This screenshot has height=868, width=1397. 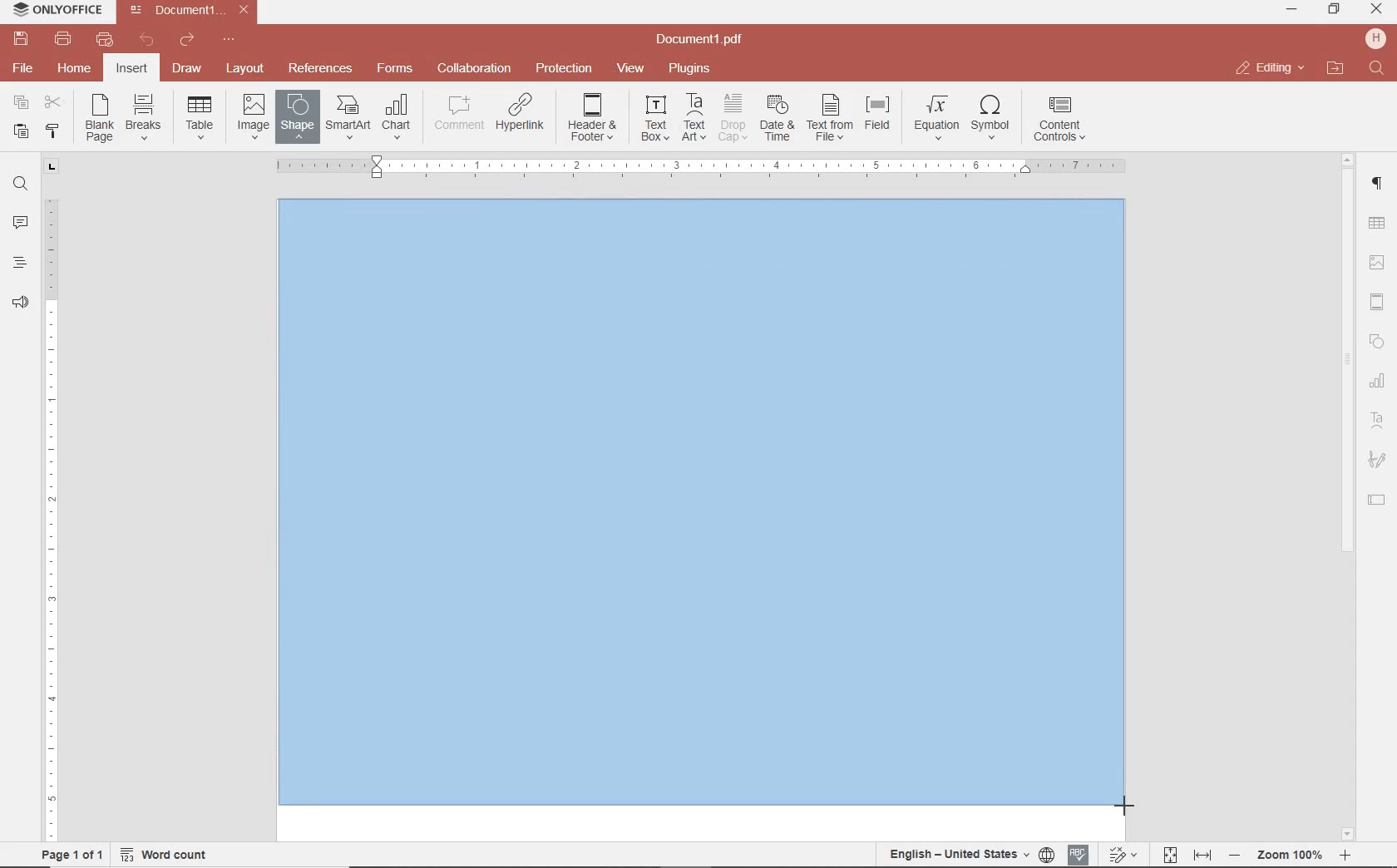 What do you see at coordinates (52, 508) in the screenshot?
I see `ruler` at bounding box center [52, 508].